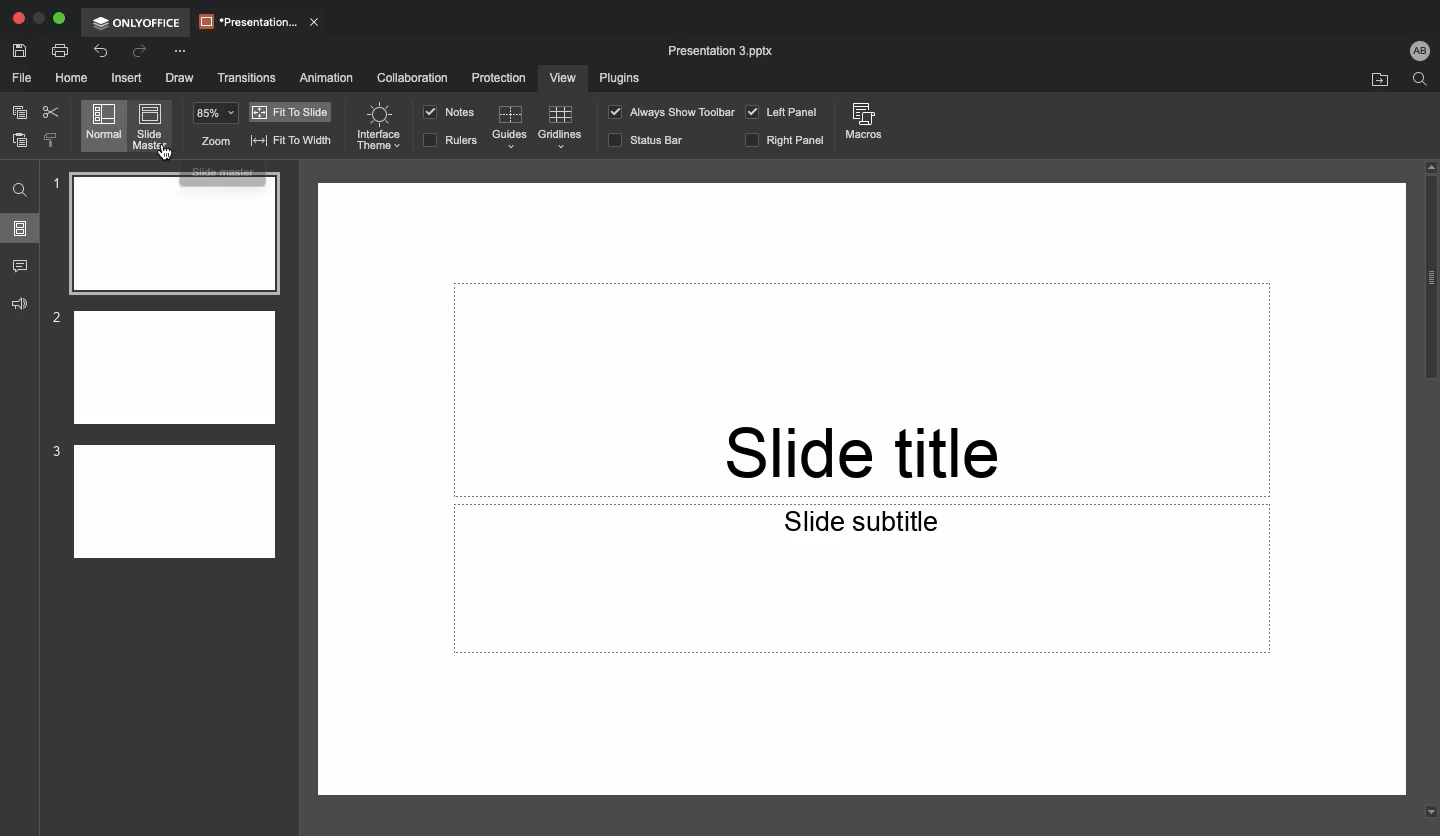  Describe the element at coordinates (214, 126) in the screenshot. I see `Zoom` at that location.